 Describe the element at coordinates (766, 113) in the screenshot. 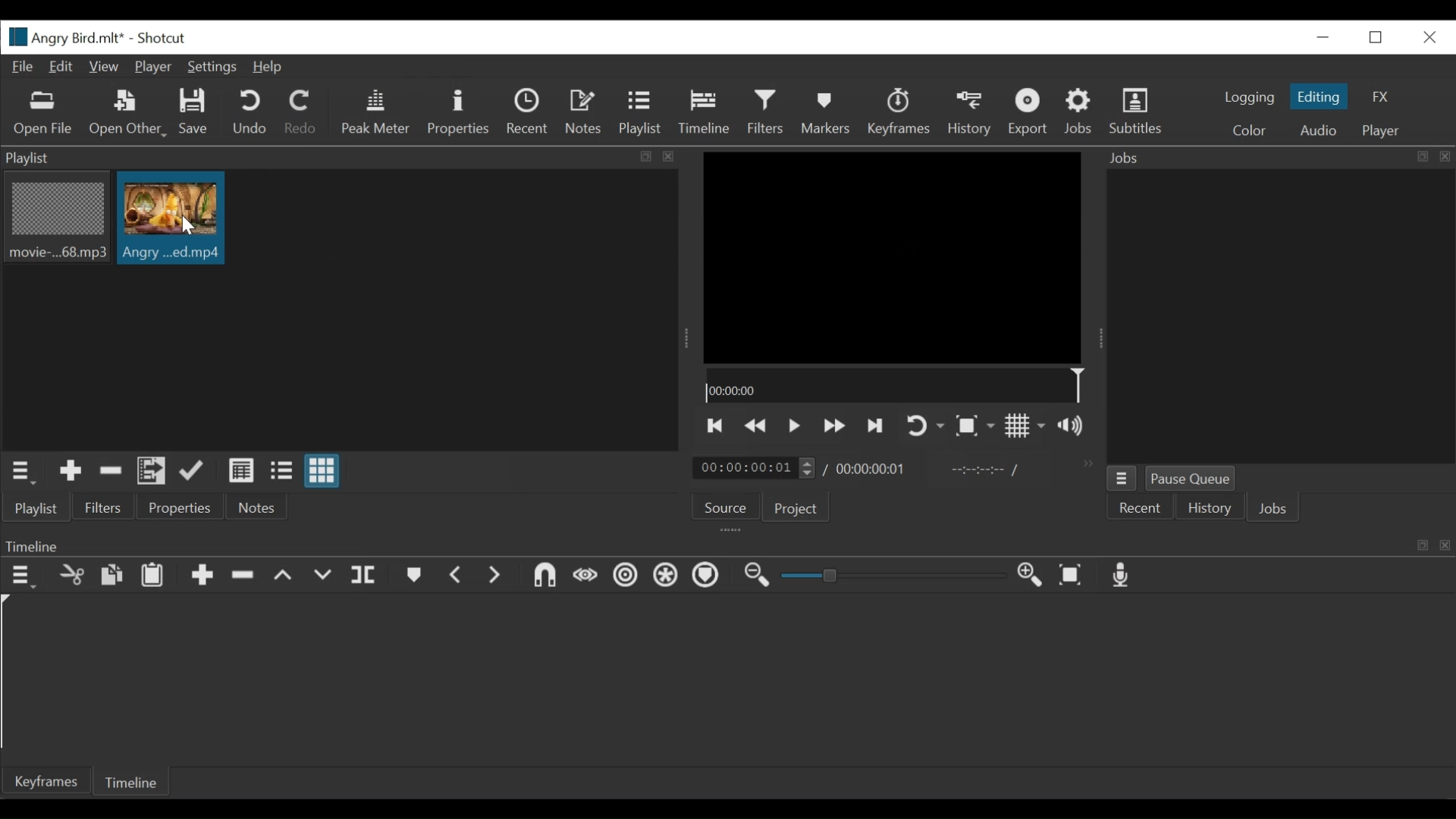

I see `Filters` at that location.